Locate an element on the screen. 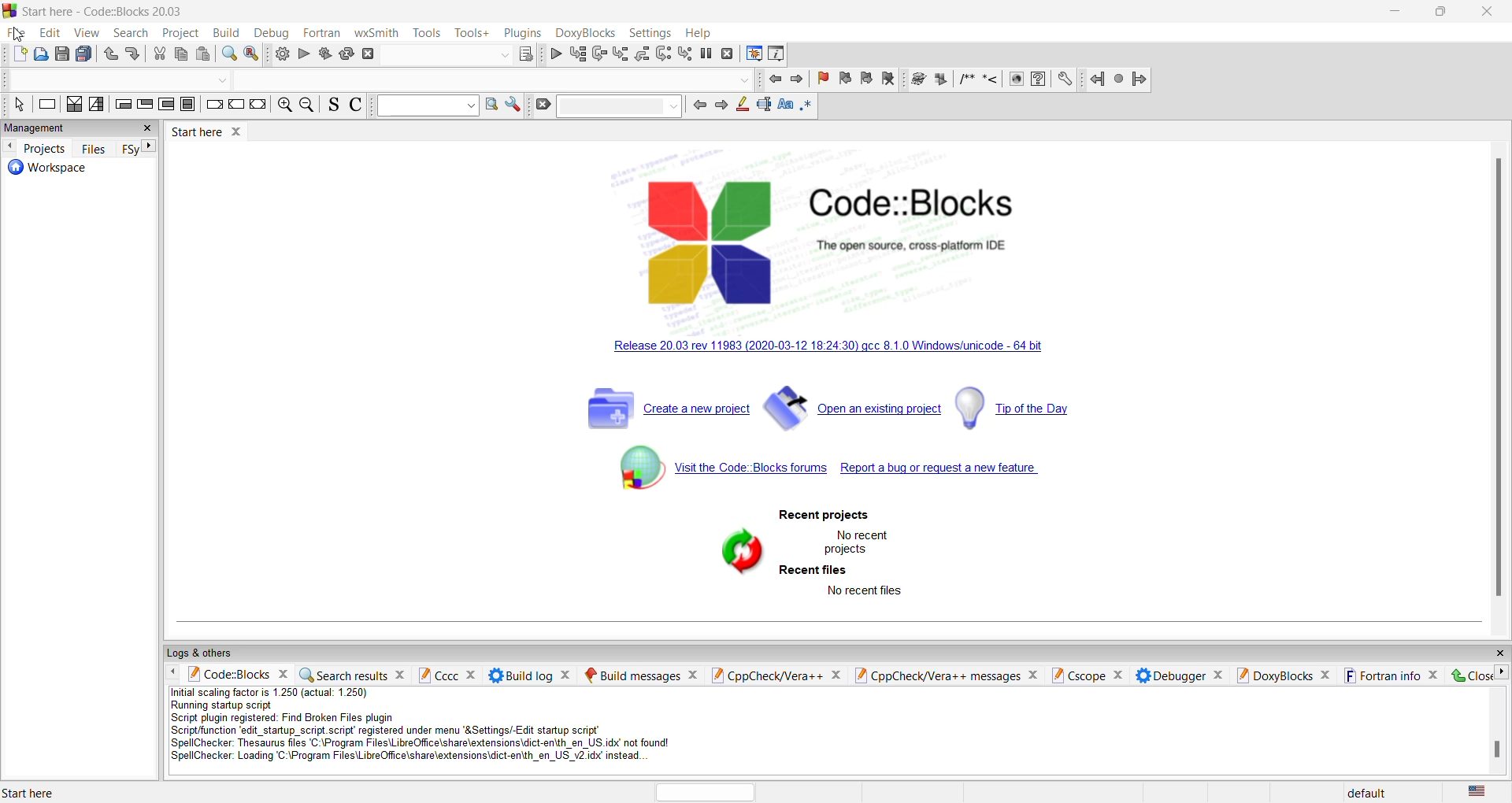 The image size is (1512, 803). fortran is located at coordinates (319, 31).